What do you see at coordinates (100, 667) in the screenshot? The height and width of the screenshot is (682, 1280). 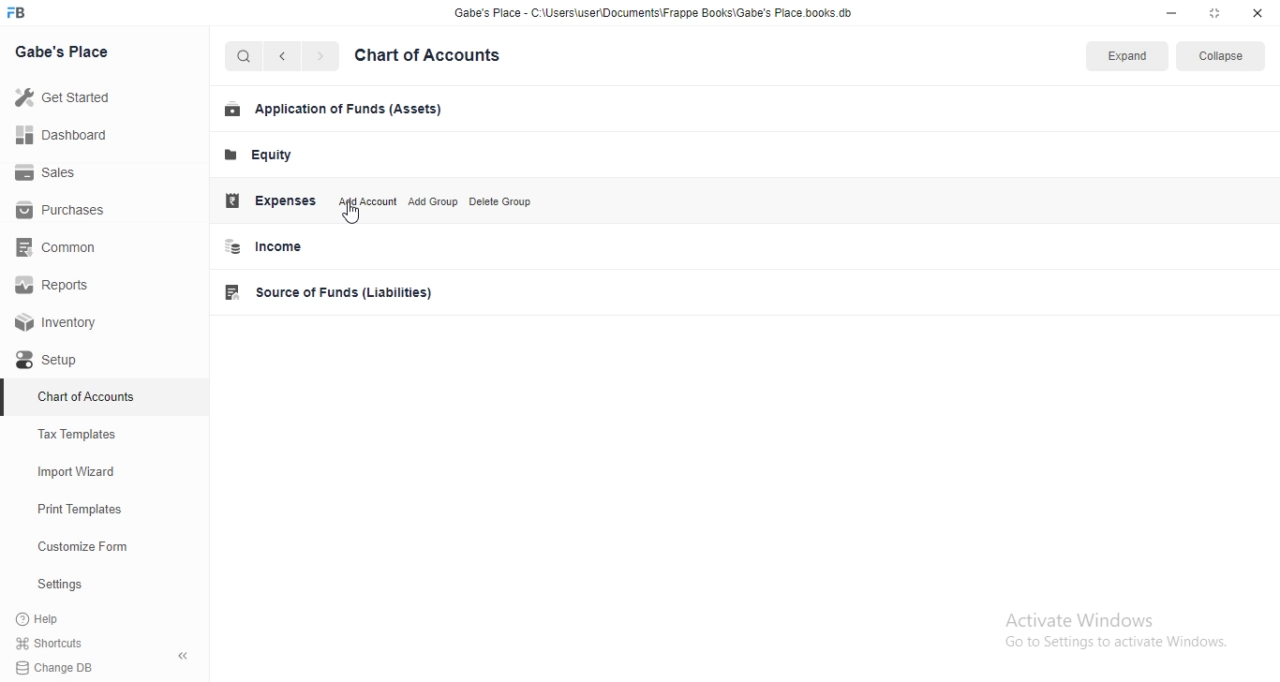 I see `Change DB` at bounding box center [100, 667].